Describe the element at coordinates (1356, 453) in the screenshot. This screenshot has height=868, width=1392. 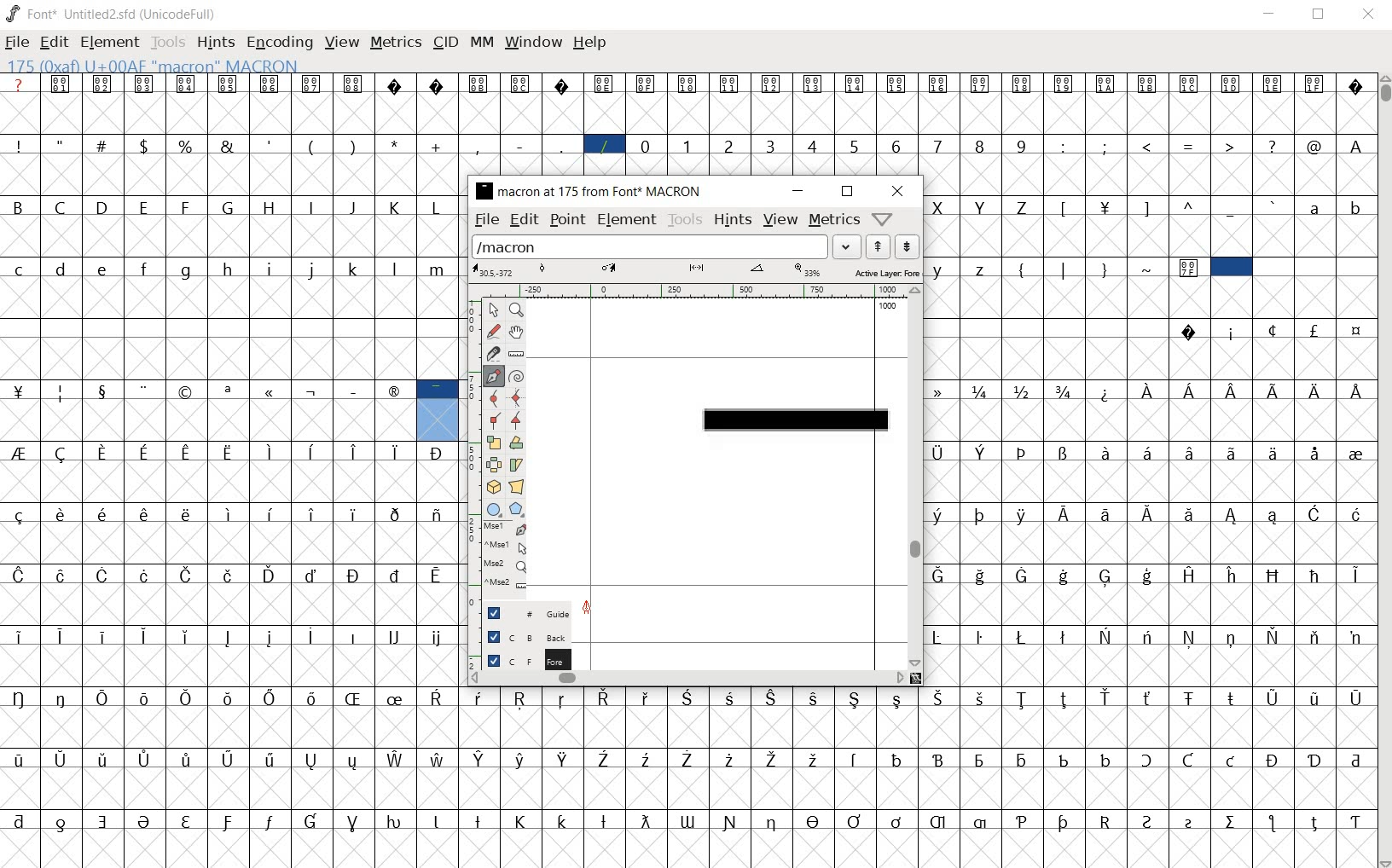
I see `Symbol` at that location.